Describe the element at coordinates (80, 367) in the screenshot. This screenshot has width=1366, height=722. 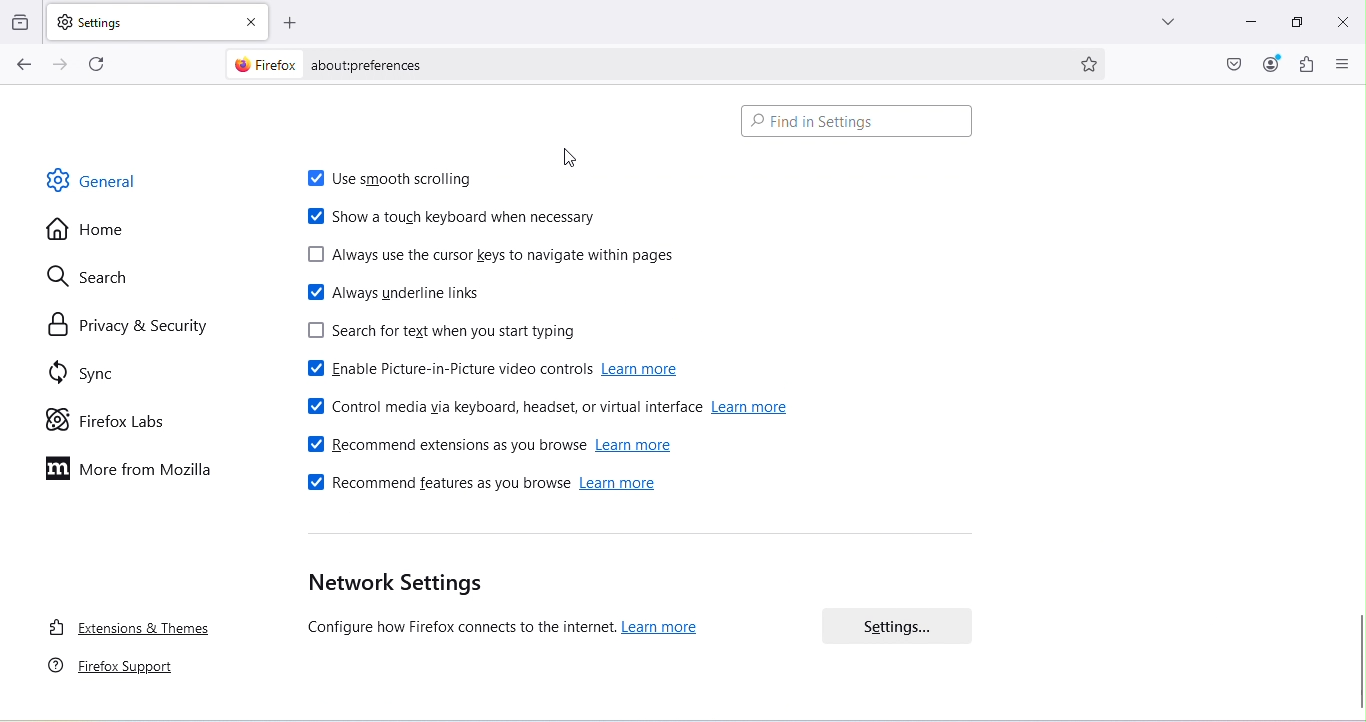
I see `Sync` at that location.